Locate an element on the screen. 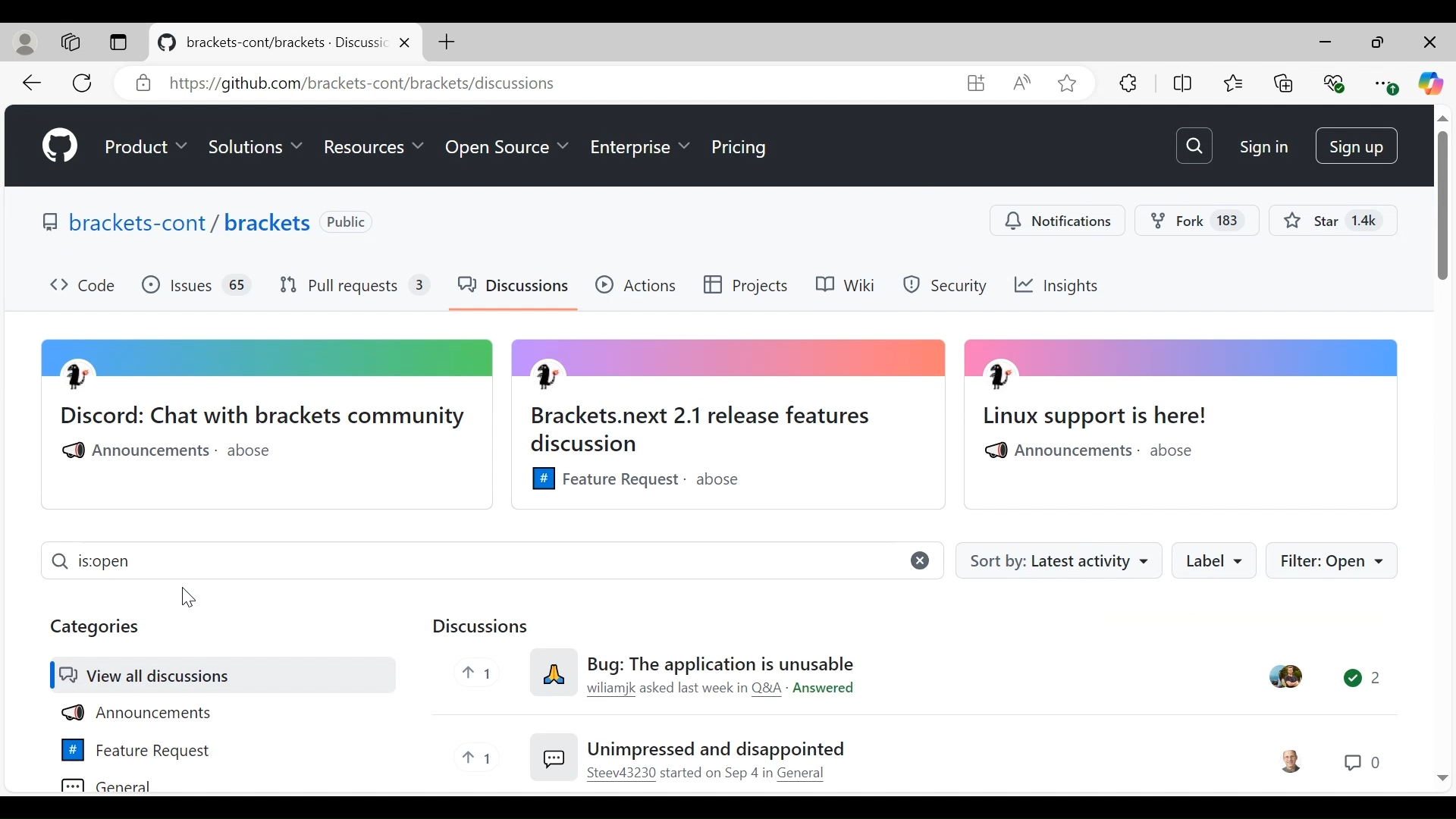 This screenshot has width=1456, height=819. Security is located at coordinates (948, 286).